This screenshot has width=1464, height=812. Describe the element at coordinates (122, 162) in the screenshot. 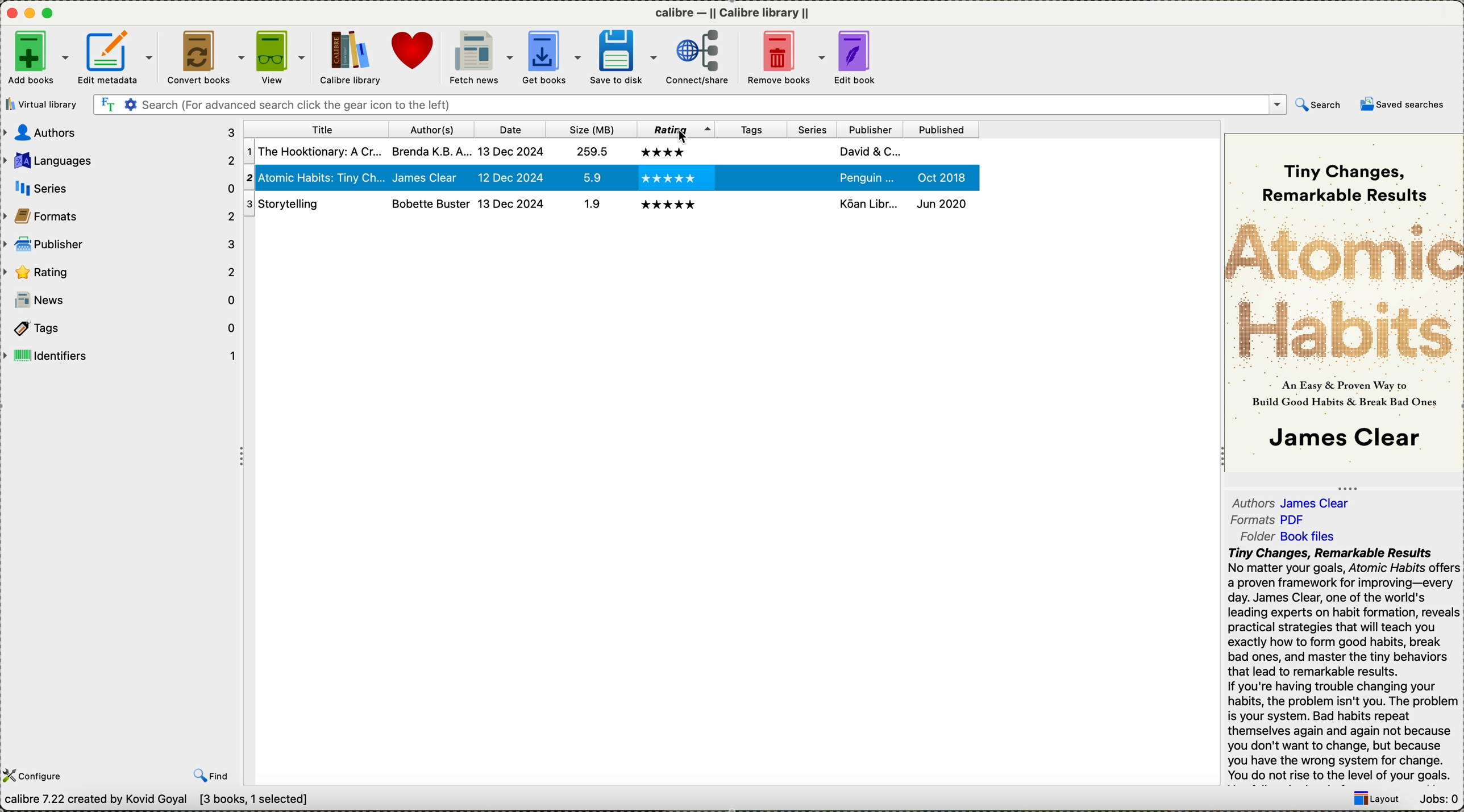

I see `languages` at that location.